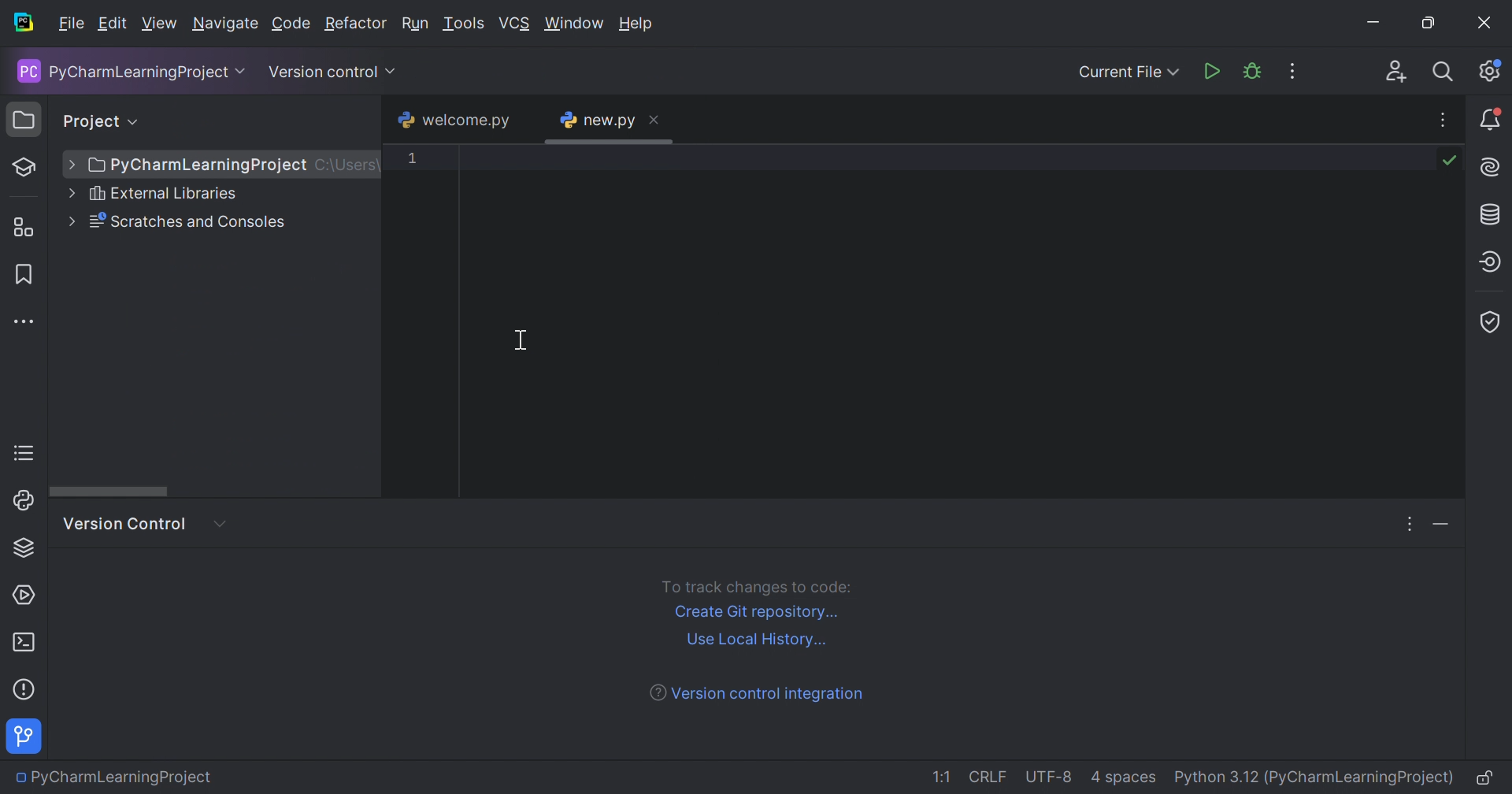 This screenshot has height=794, width=1512. What do you see at coordinates (1409, 524) in the screenshot?
I see `Options` at bounding box center [1409, 524].